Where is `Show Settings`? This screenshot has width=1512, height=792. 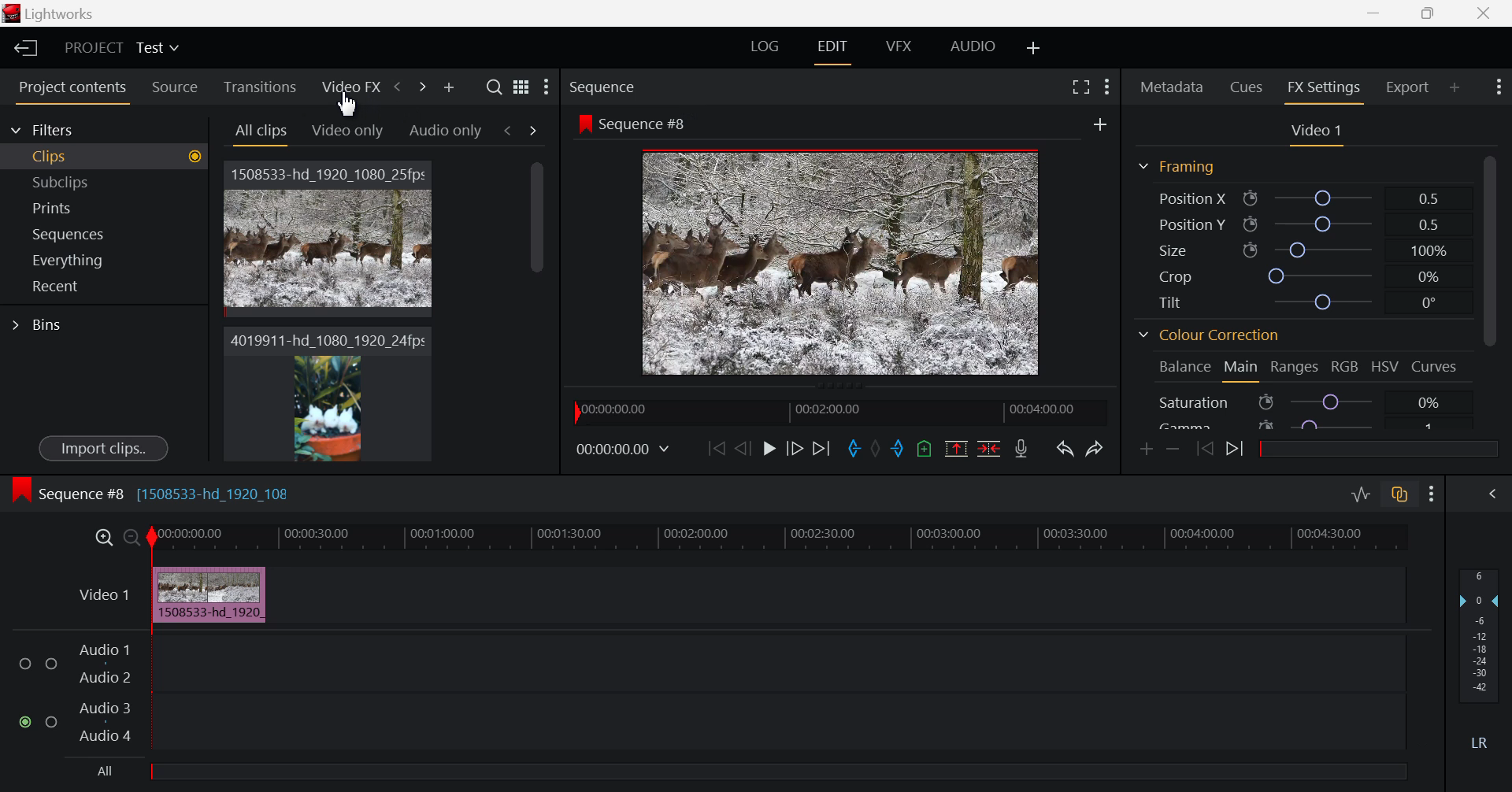
Show Settings is located at coordinates (1432, 494).